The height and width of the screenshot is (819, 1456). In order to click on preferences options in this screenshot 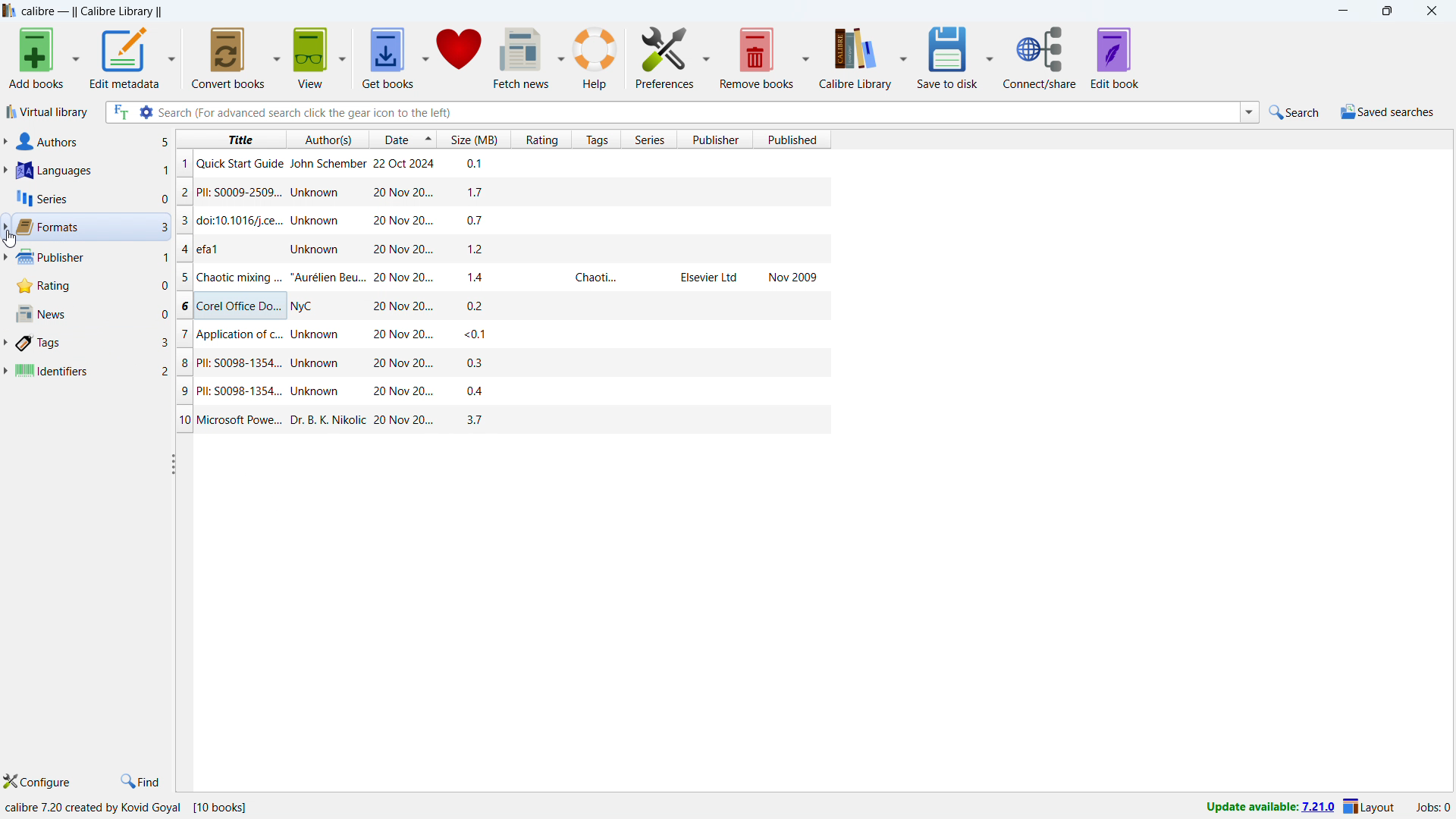, I will do `click(707, 55)`.